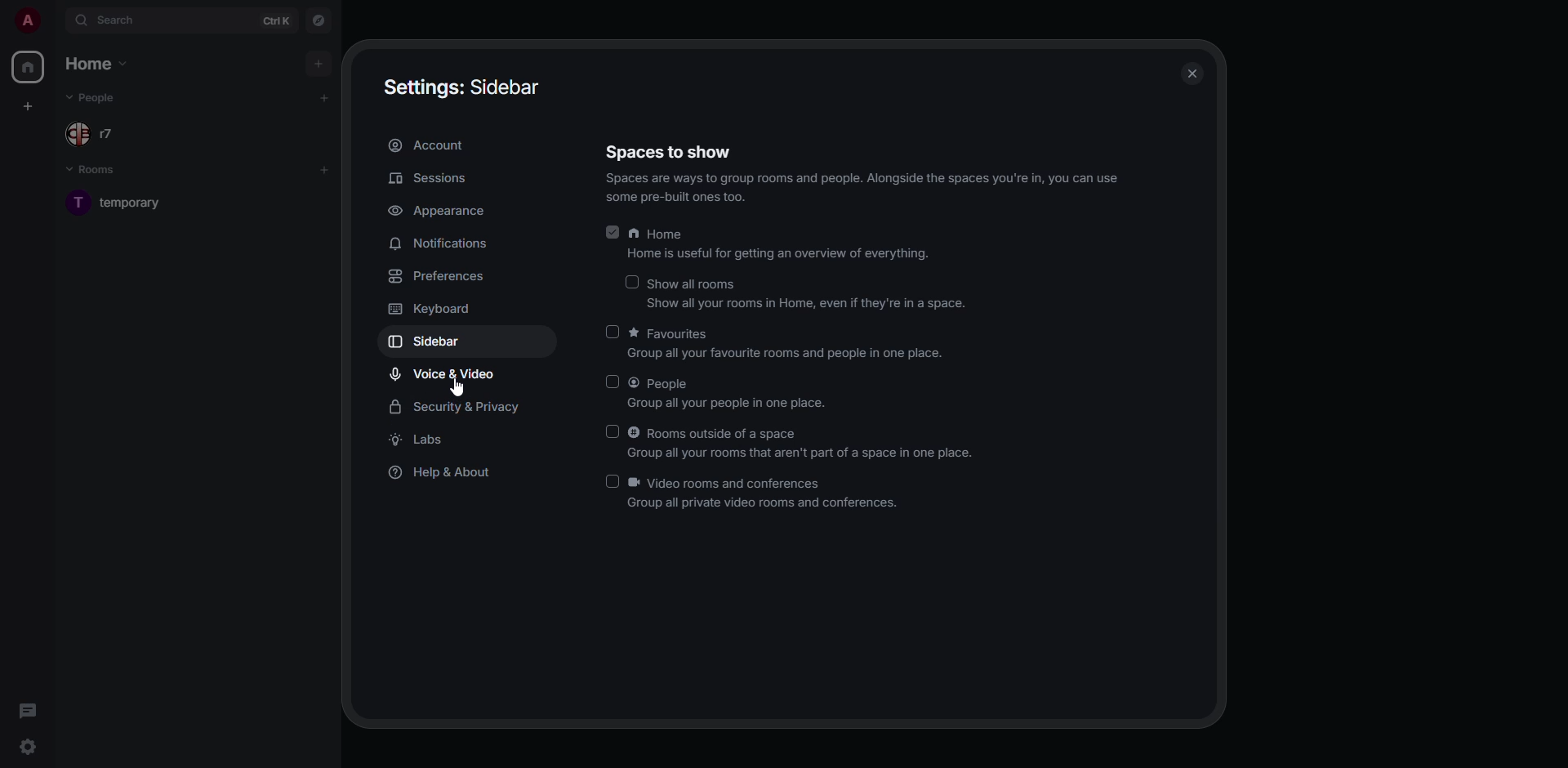 This screenshot has width=1568, height=768. I want to click on spaces to show, so click(670, 153).